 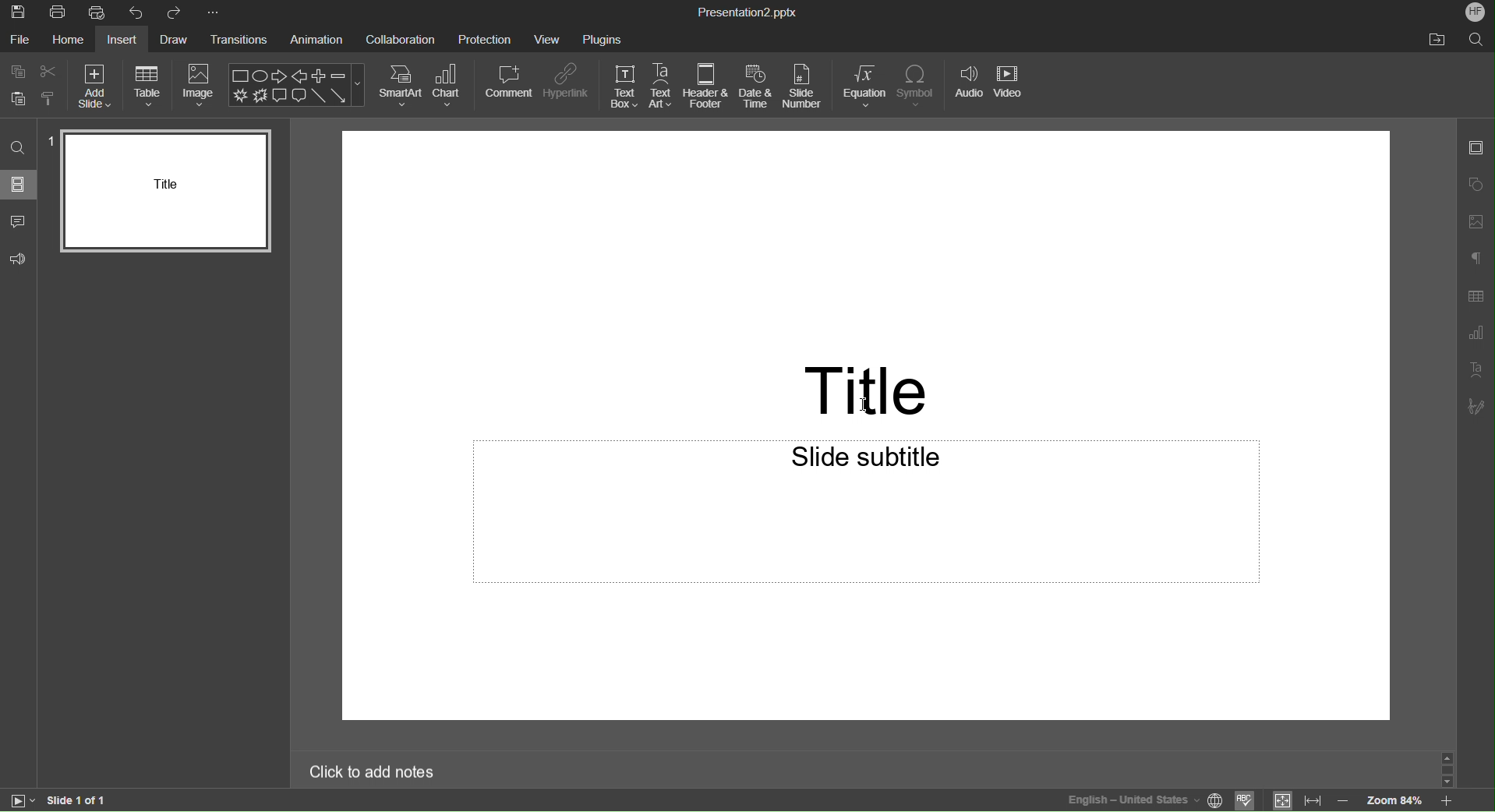 I want to click on Slide 1, so click(x=162, y=192).